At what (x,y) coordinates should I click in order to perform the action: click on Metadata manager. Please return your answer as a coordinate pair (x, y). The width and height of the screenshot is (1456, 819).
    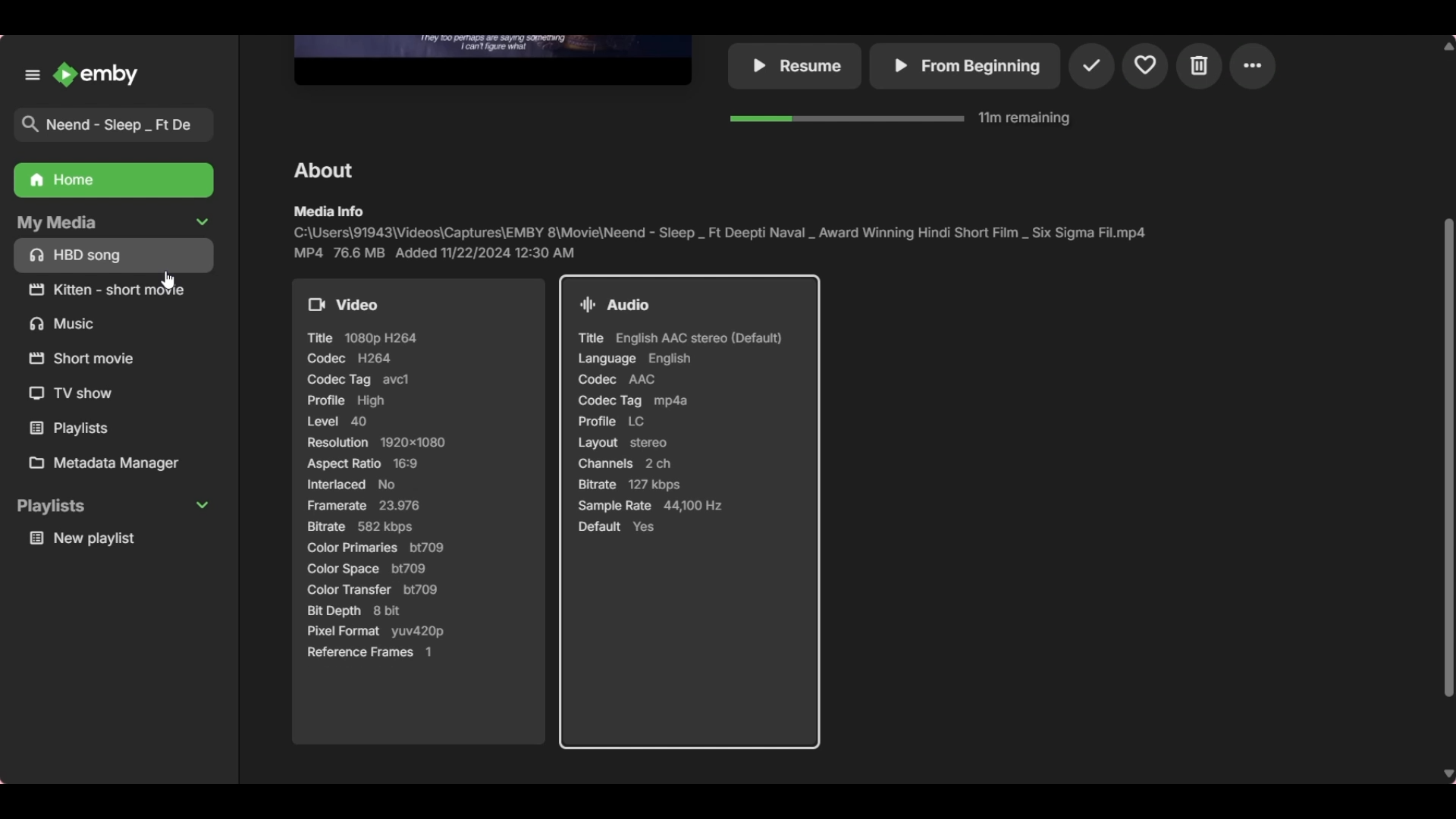
    Looking at the image, I should click on (119, 463).